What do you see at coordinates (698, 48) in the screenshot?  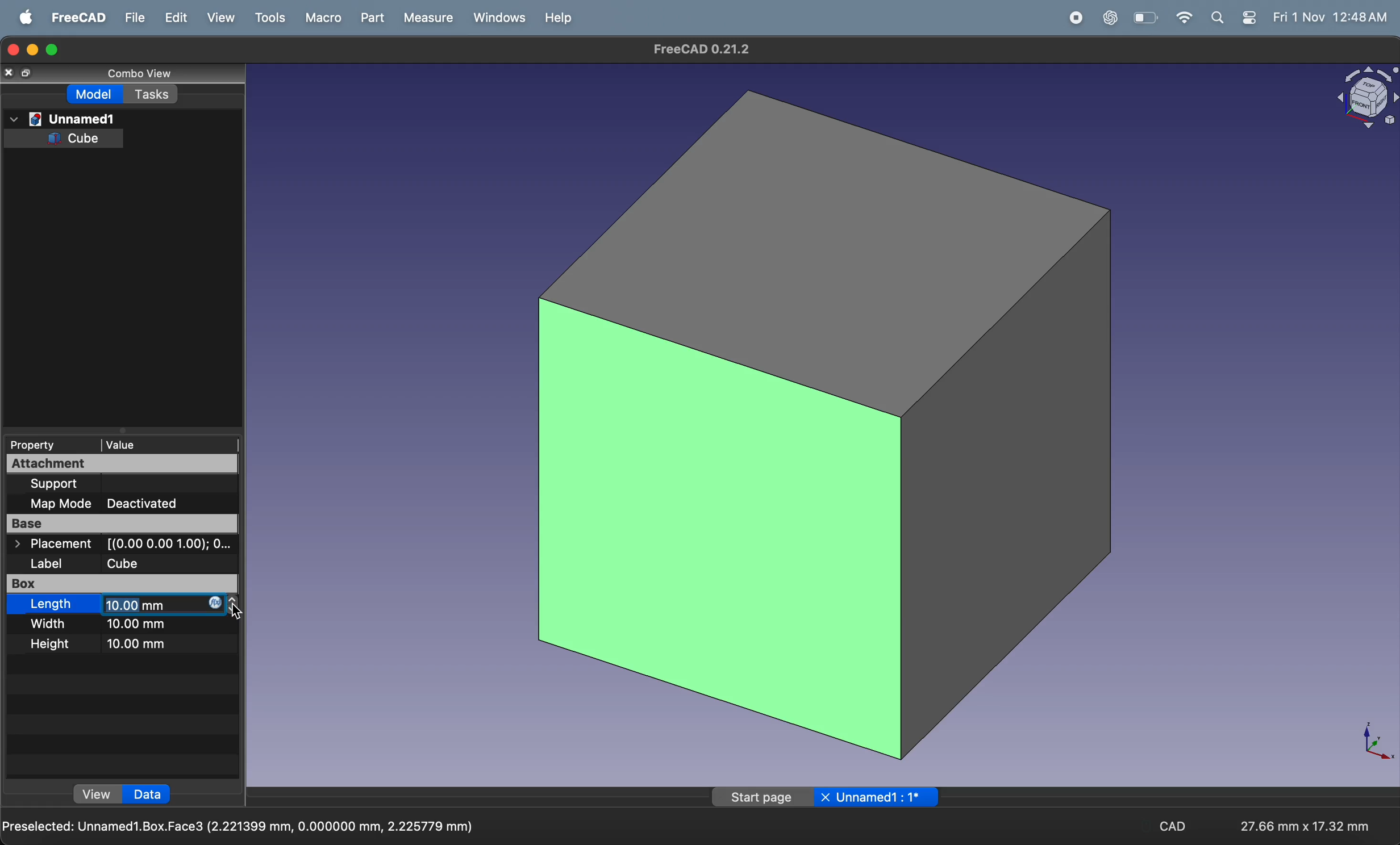 I see `FreeCad 0.21.2` at bounding box center [698, 48].